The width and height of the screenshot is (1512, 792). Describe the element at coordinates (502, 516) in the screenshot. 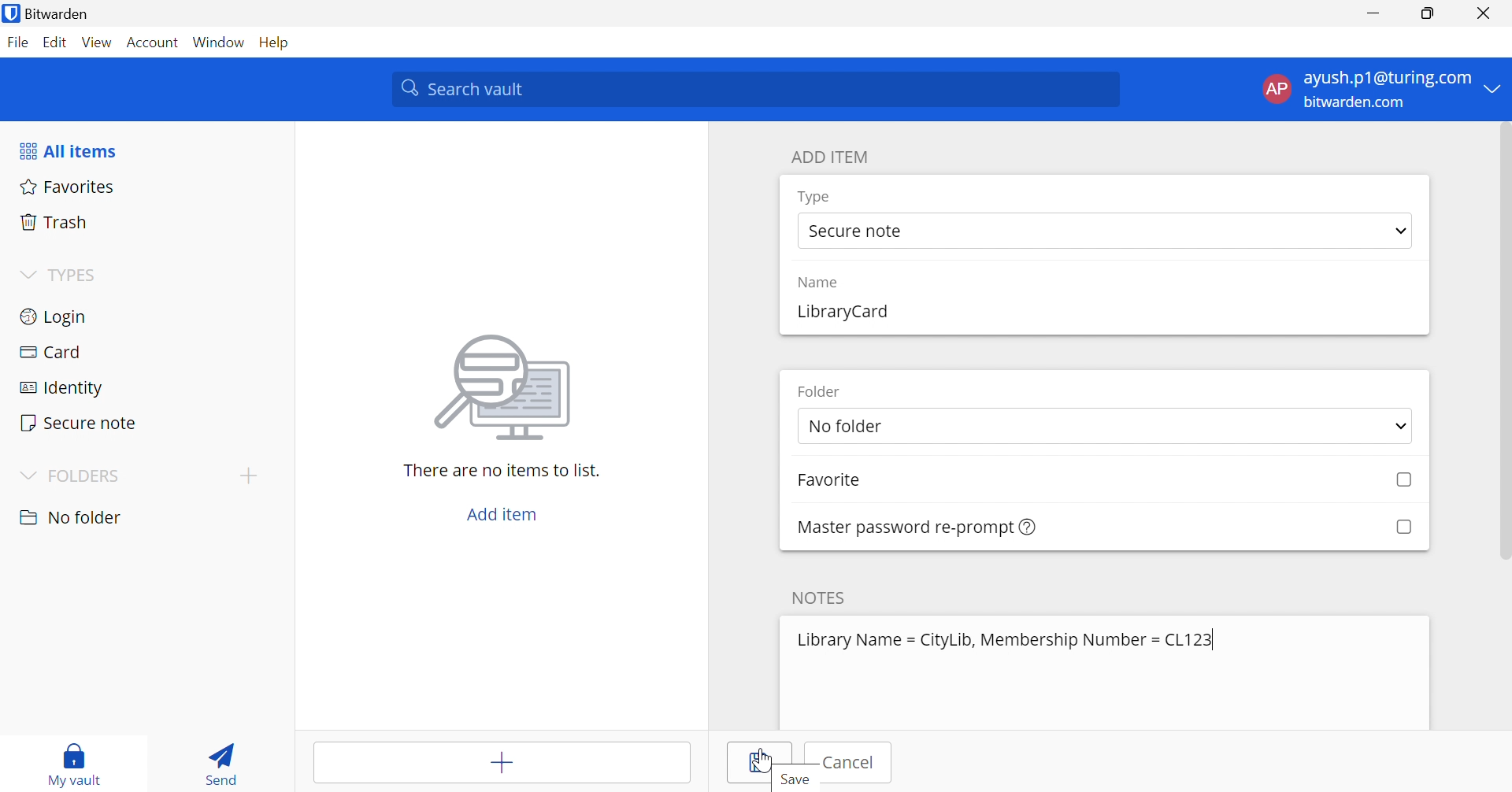

I see `Add item` at that location.